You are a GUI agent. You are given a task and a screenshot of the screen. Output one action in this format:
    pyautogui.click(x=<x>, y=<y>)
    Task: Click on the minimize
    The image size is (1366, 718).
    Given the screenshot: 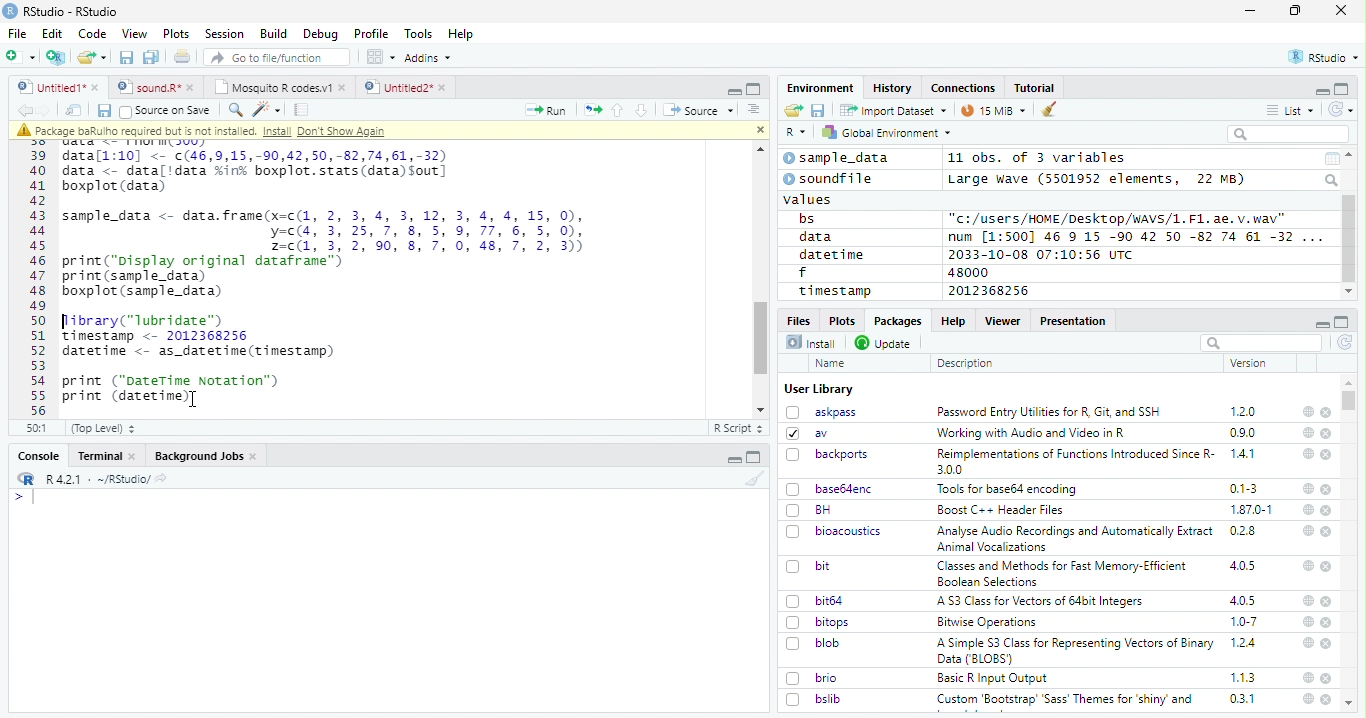 What is the action you would take?
    pyautogui.click(x=1321, y=90)
    